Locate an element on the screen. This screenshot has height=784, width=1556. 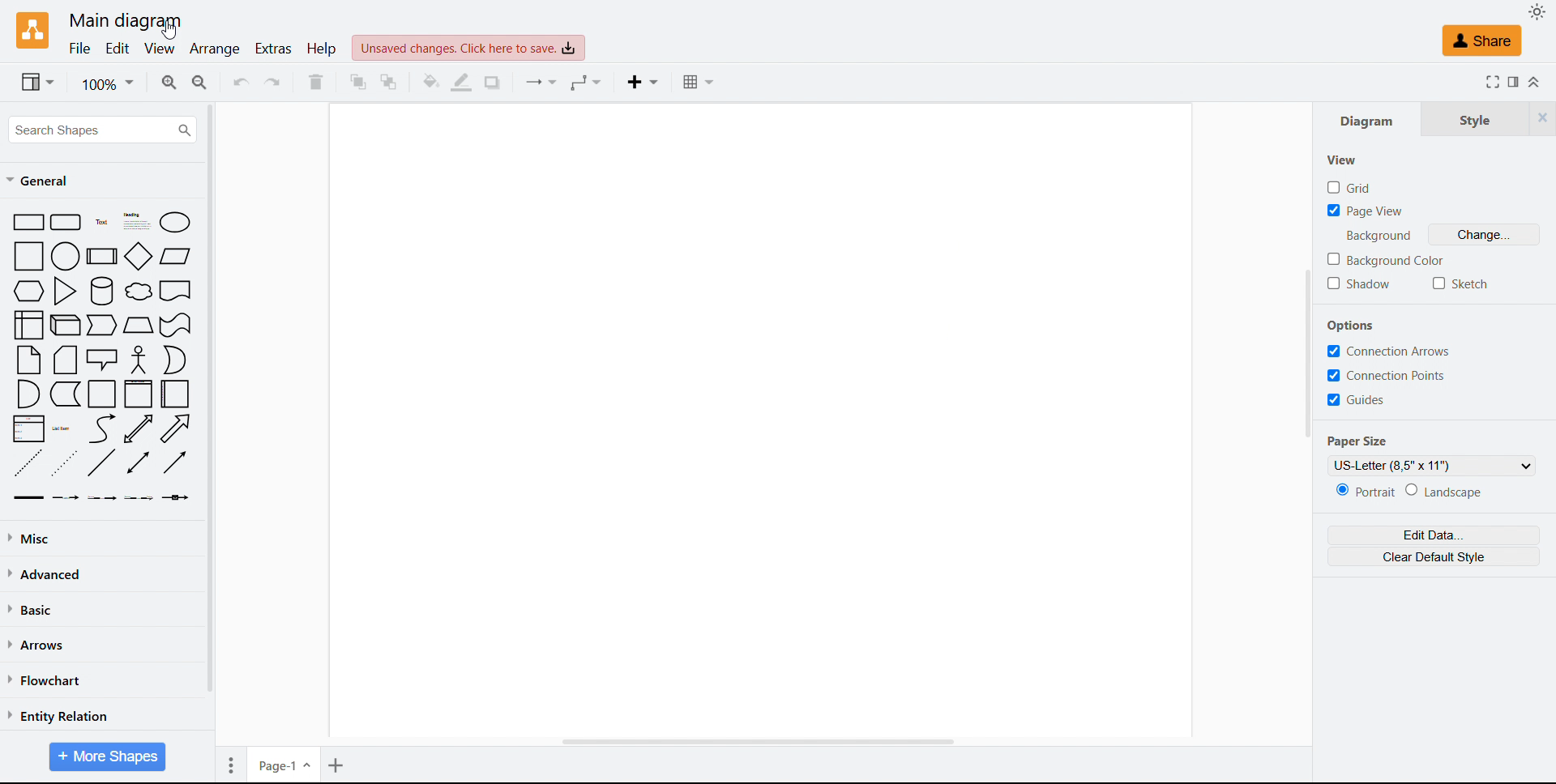
view  is located at coordinates (158, 49).